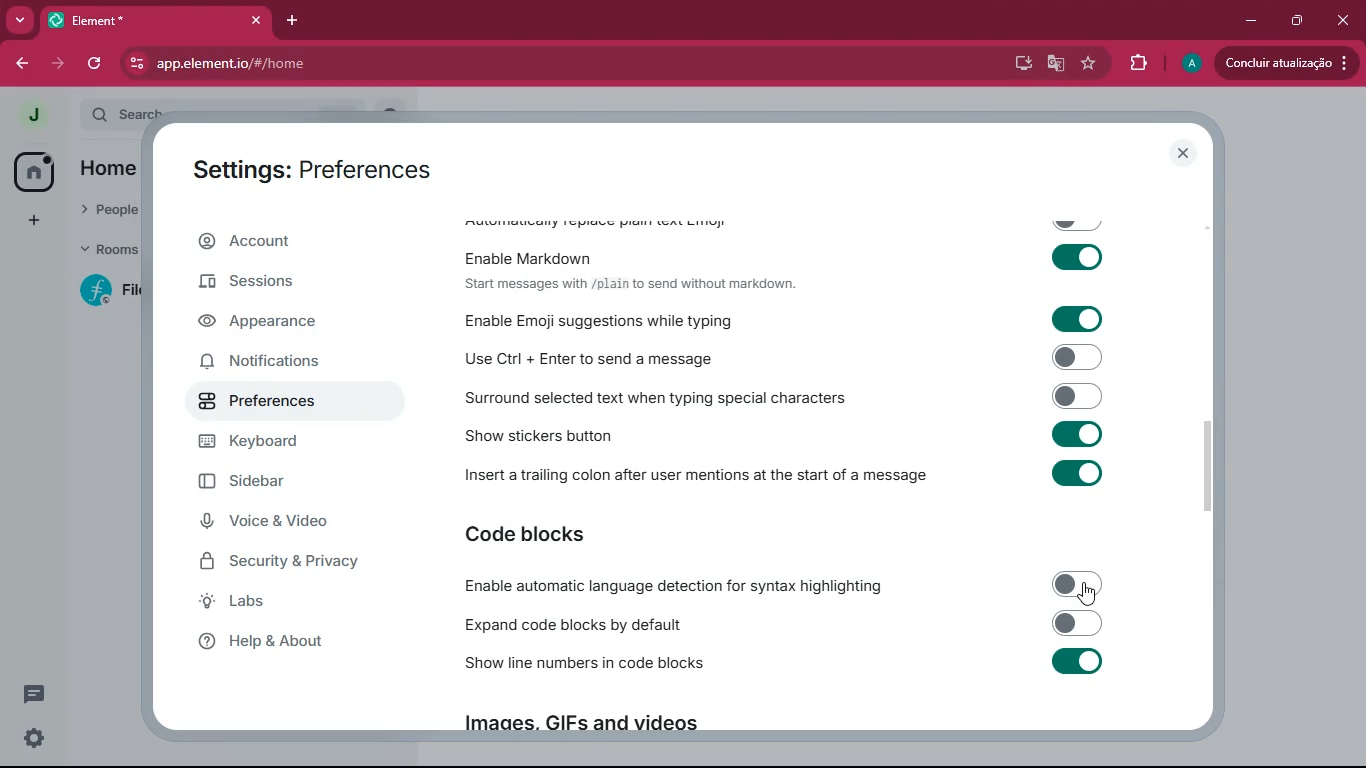  I want to click on rooms, so click(109, 247).